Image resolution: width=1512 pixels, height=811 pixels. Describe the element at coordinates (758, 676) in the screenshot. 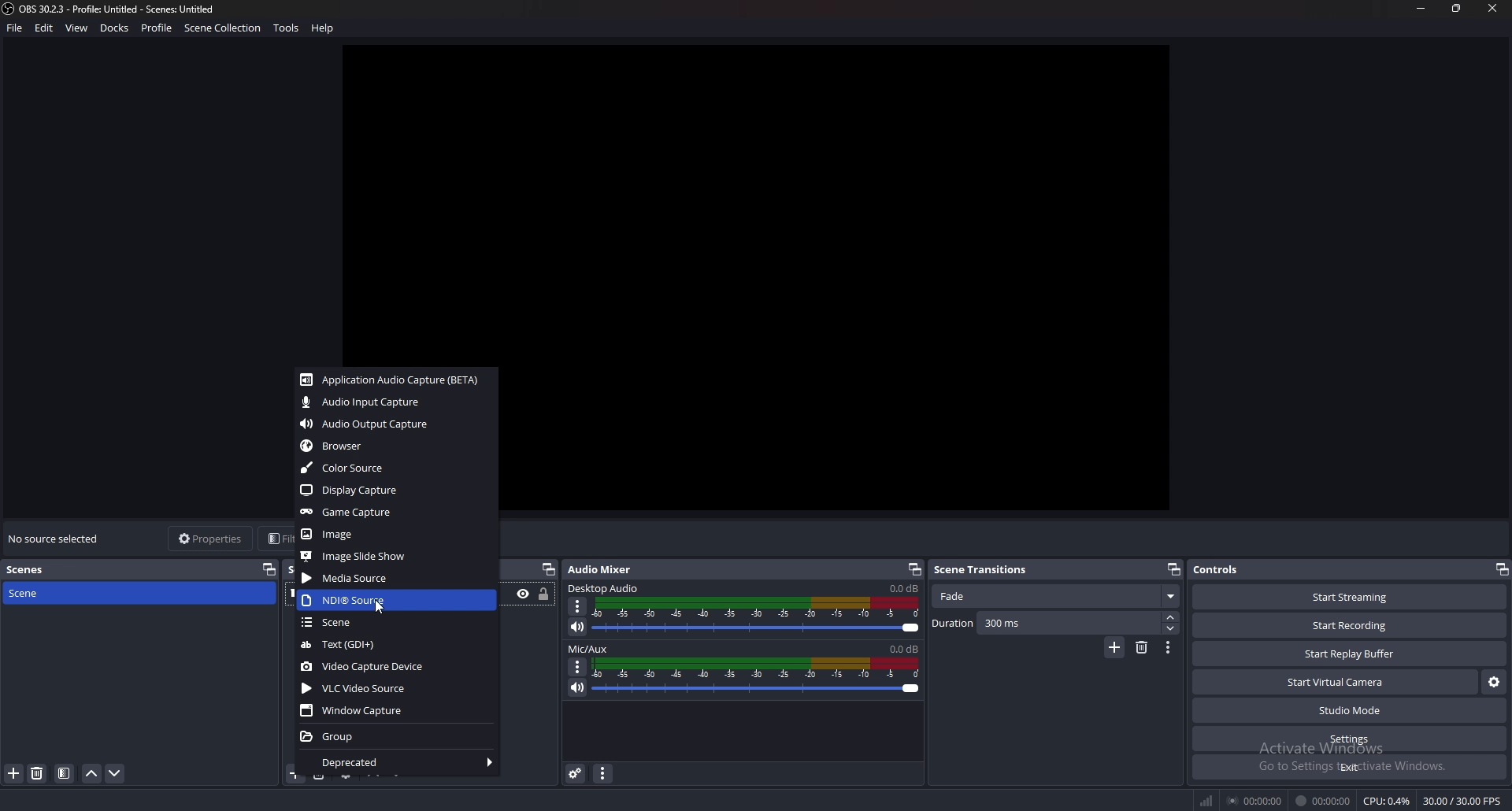

I see `volume adjust` at that location.